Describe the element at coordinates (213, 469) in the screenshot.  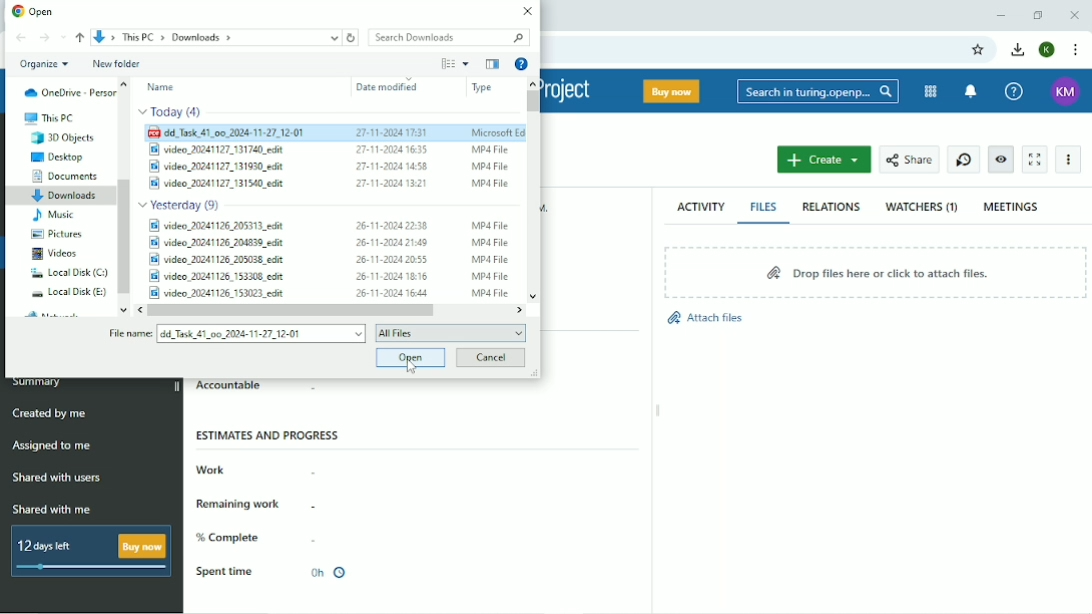
I see `Work` at that location.